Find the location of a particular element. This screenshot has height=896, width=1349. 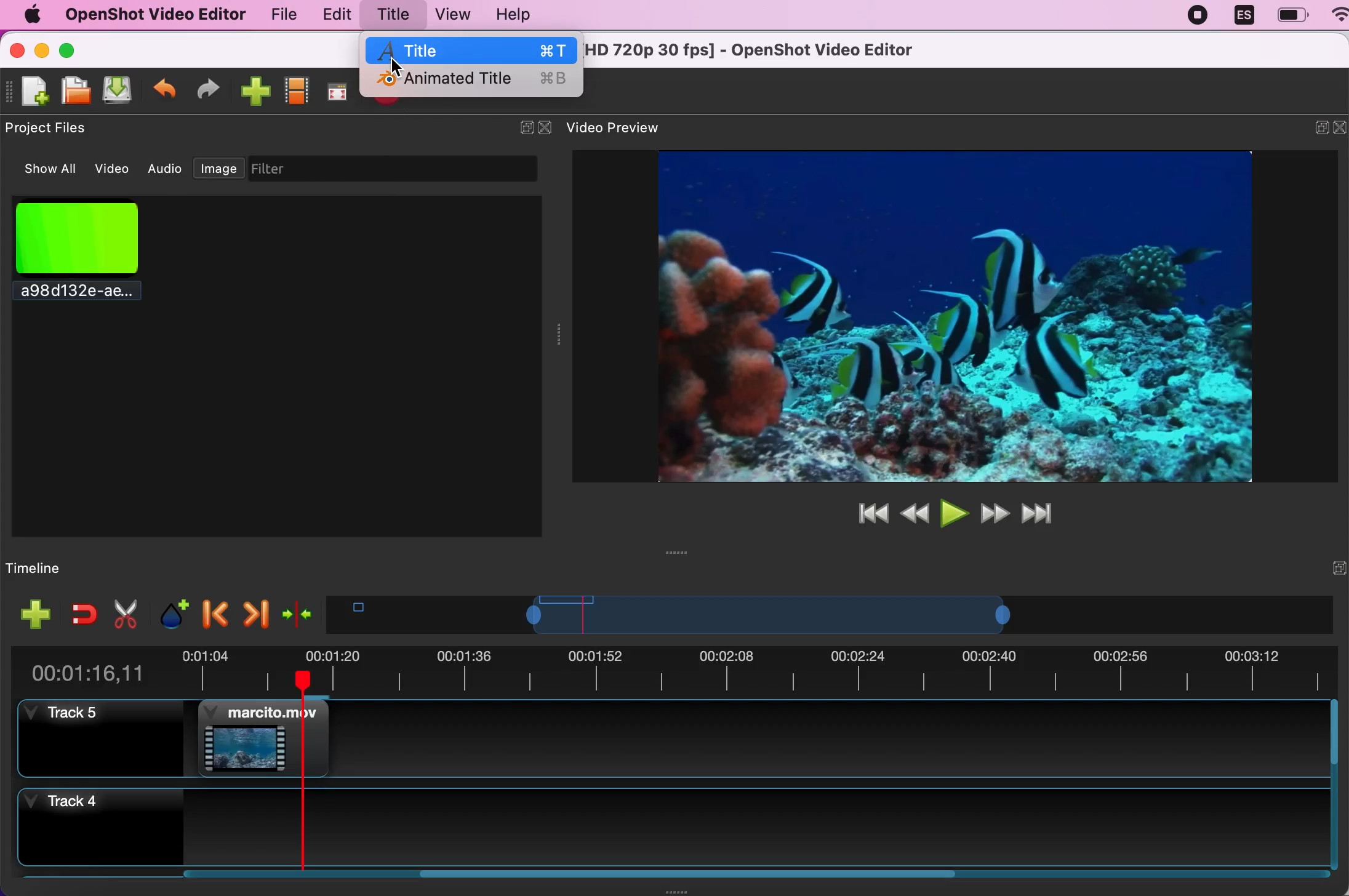

rewind is located at coordinates (915, 511).